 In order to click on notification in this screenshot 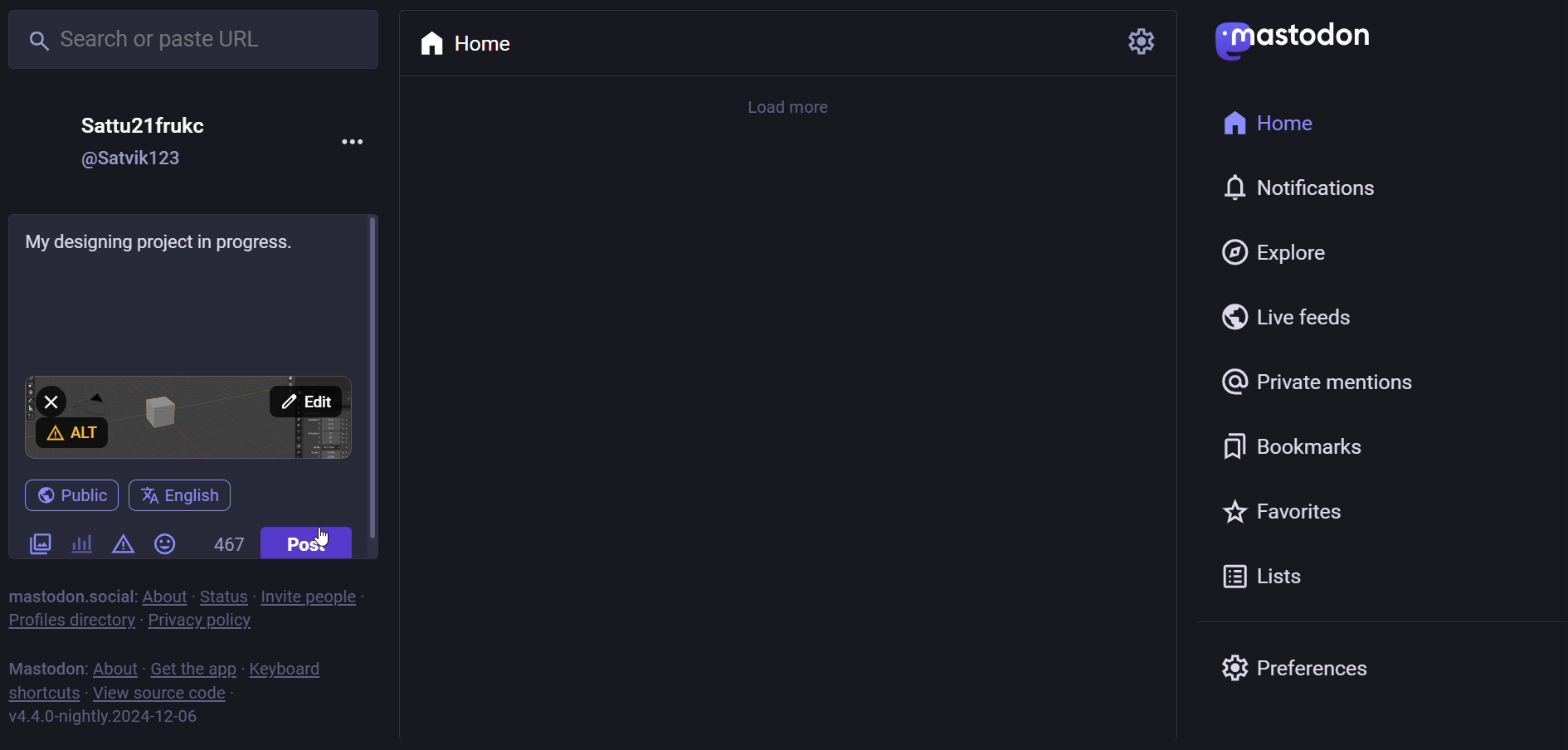, I will do `click(1299, 190)`.